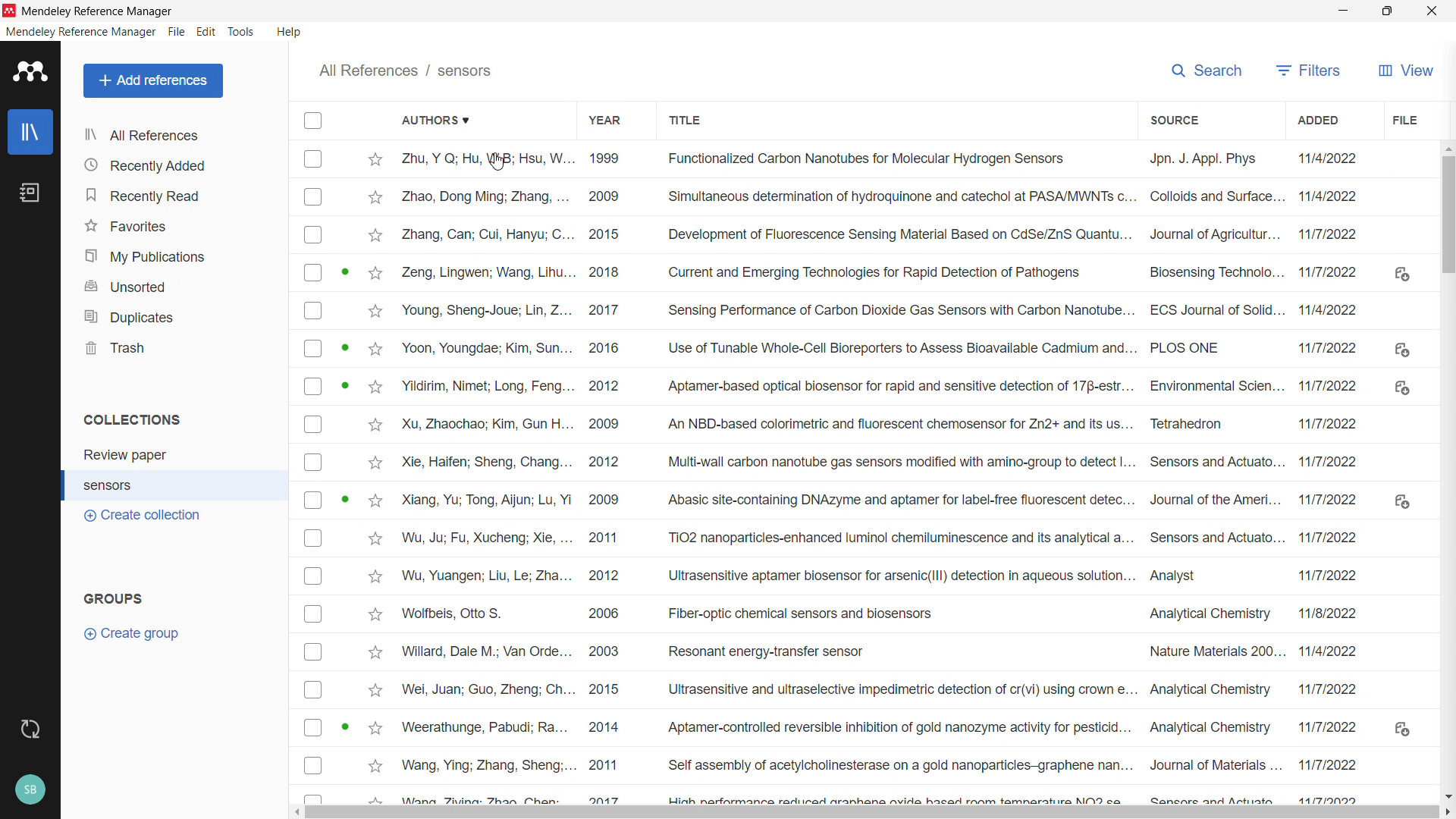 This screenshot has height=819, width=1456. I want to click on Horizontal scroll bar , so click(873, 813).